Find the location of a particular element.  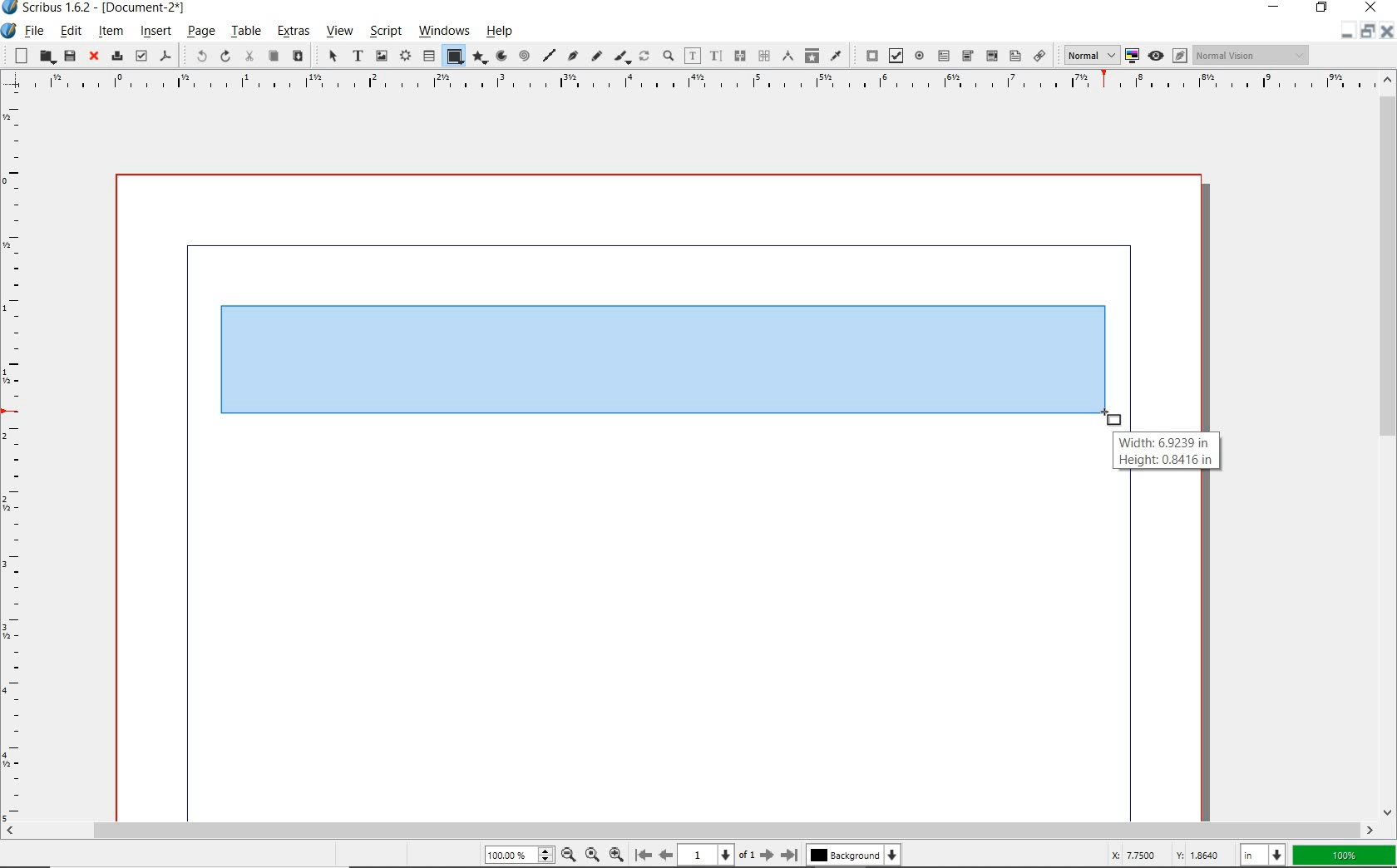

move to first is located at coordinates (642, 854).